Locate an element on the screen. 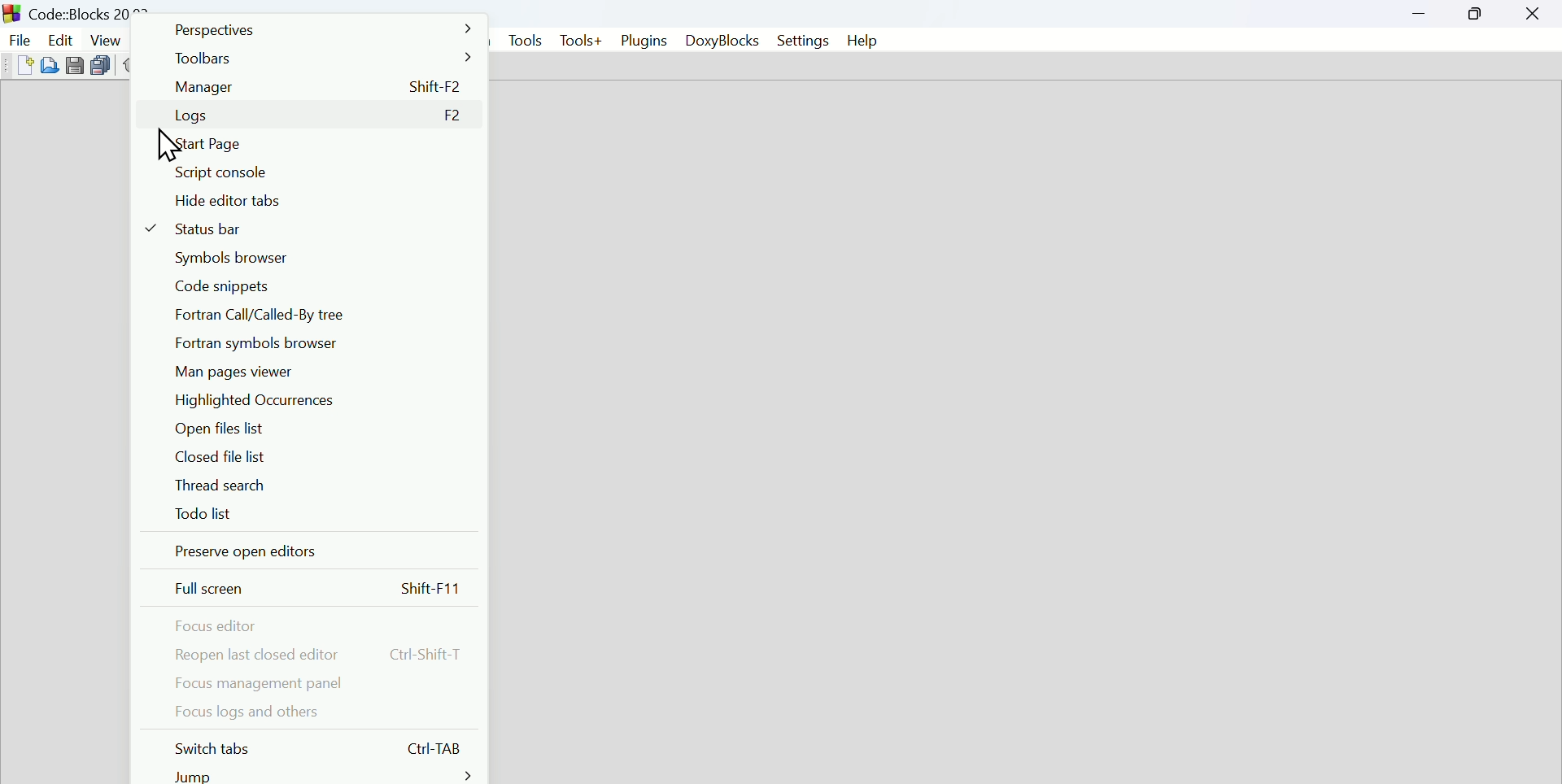  Tools  is located at coordinates (524, 40).